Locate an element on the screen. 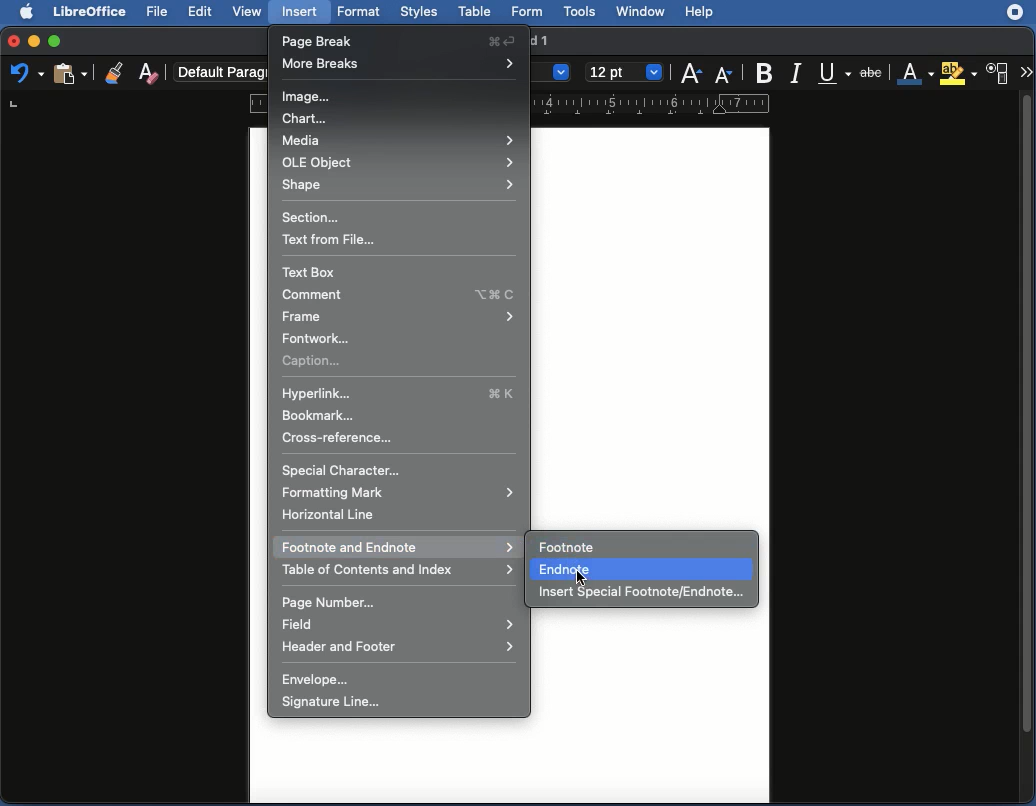 The width and height of the screenshot is (1036, 806). Size is located at coordinates (626, 72).